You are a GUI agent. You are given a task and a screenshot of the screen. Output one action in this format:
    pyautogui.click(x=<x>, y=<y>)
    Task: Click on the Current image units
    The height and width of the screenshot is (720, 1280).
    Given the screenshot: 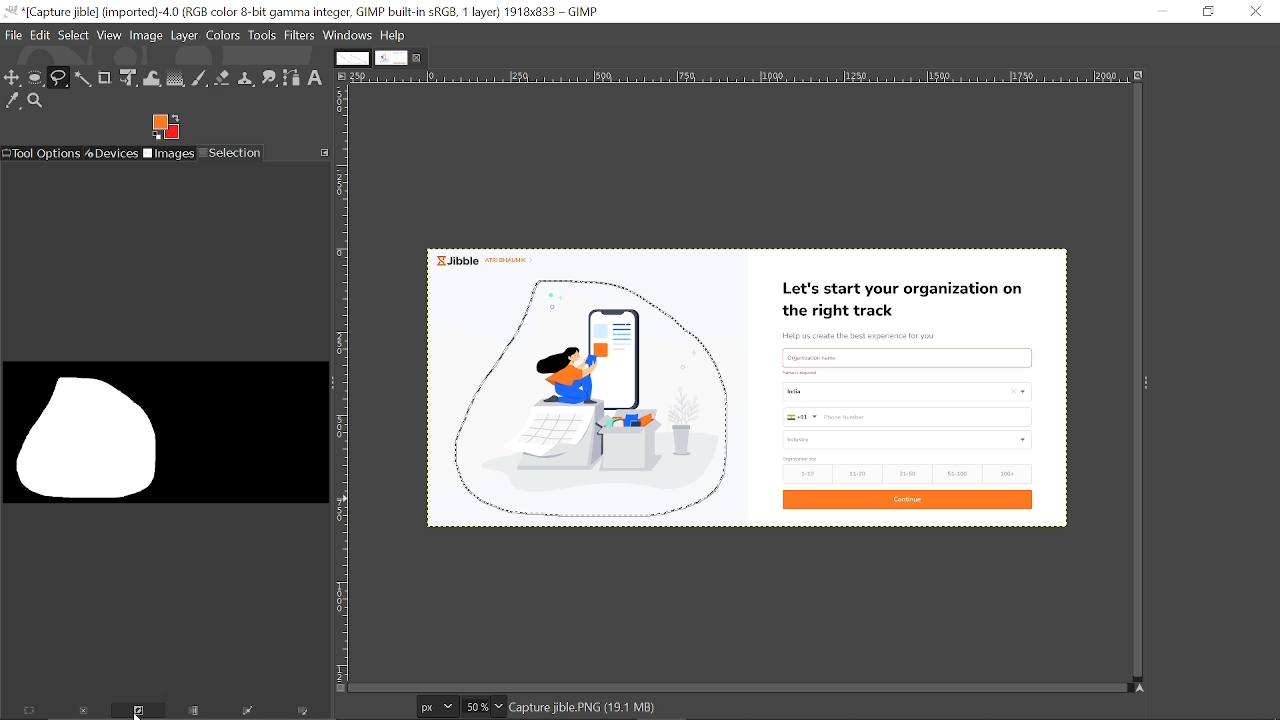 What is the action you would take?
    pyautogui.click(x=436, y=707)
    